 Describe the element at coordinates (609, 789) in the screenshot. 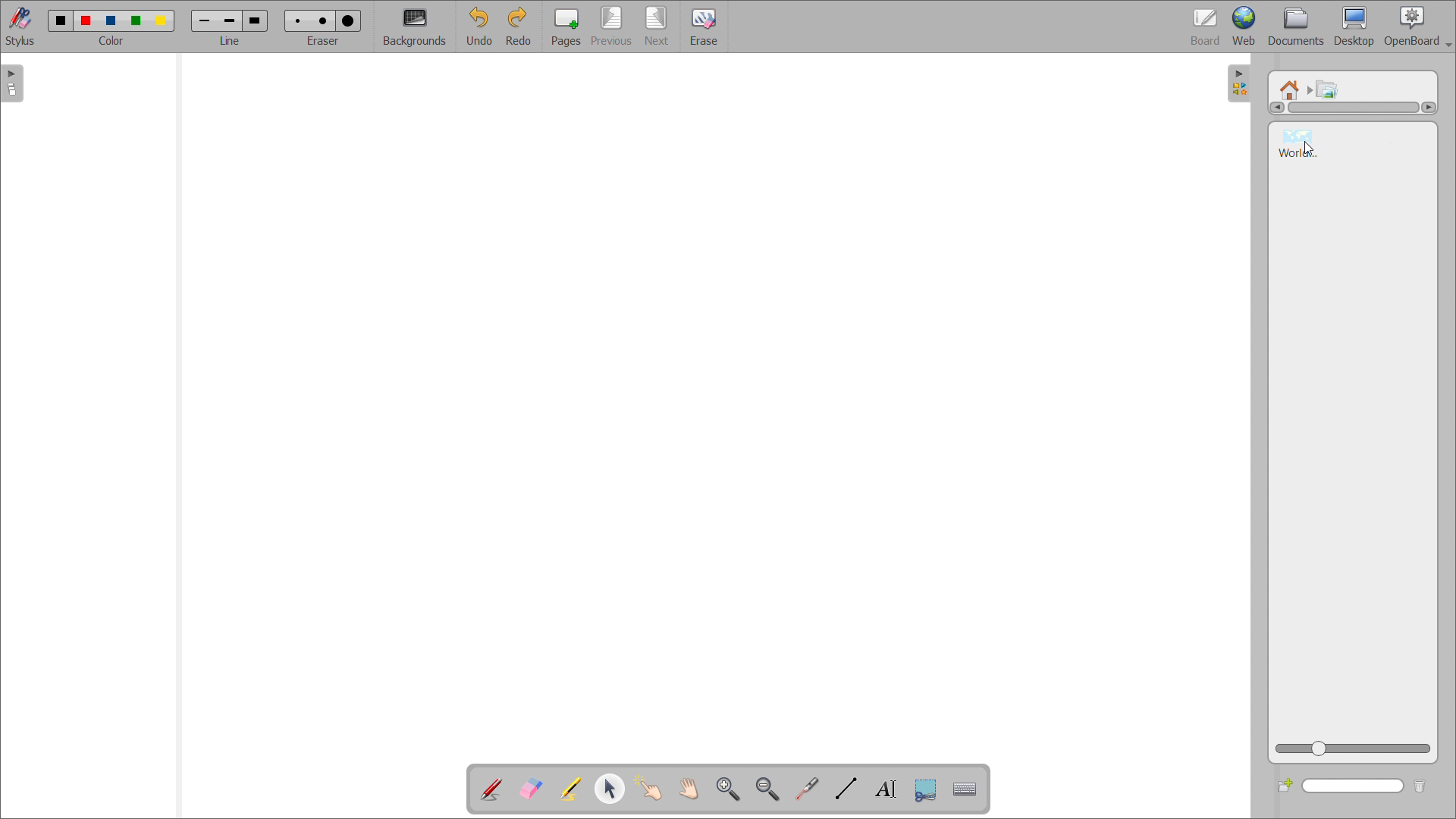

I see `select and modify object` at that location.